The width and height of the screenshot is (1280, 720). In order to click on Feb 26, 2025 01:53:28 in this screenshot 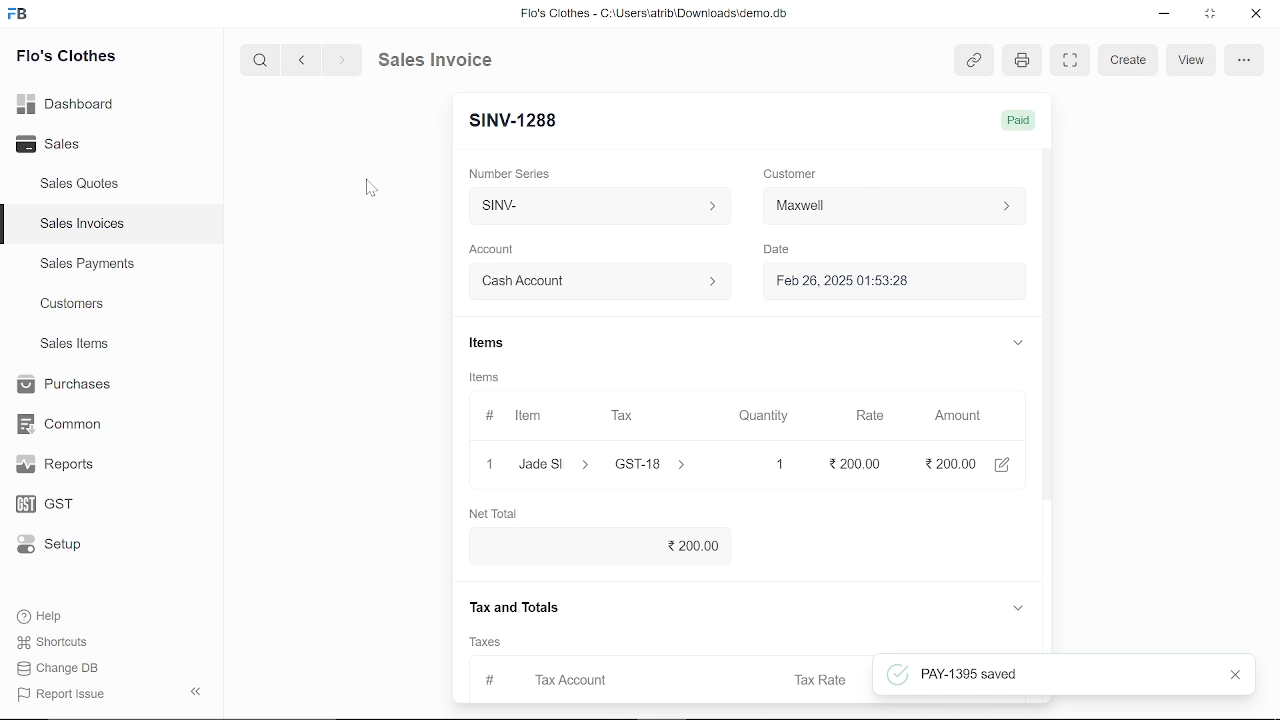, I will do `click(870, 282)`.